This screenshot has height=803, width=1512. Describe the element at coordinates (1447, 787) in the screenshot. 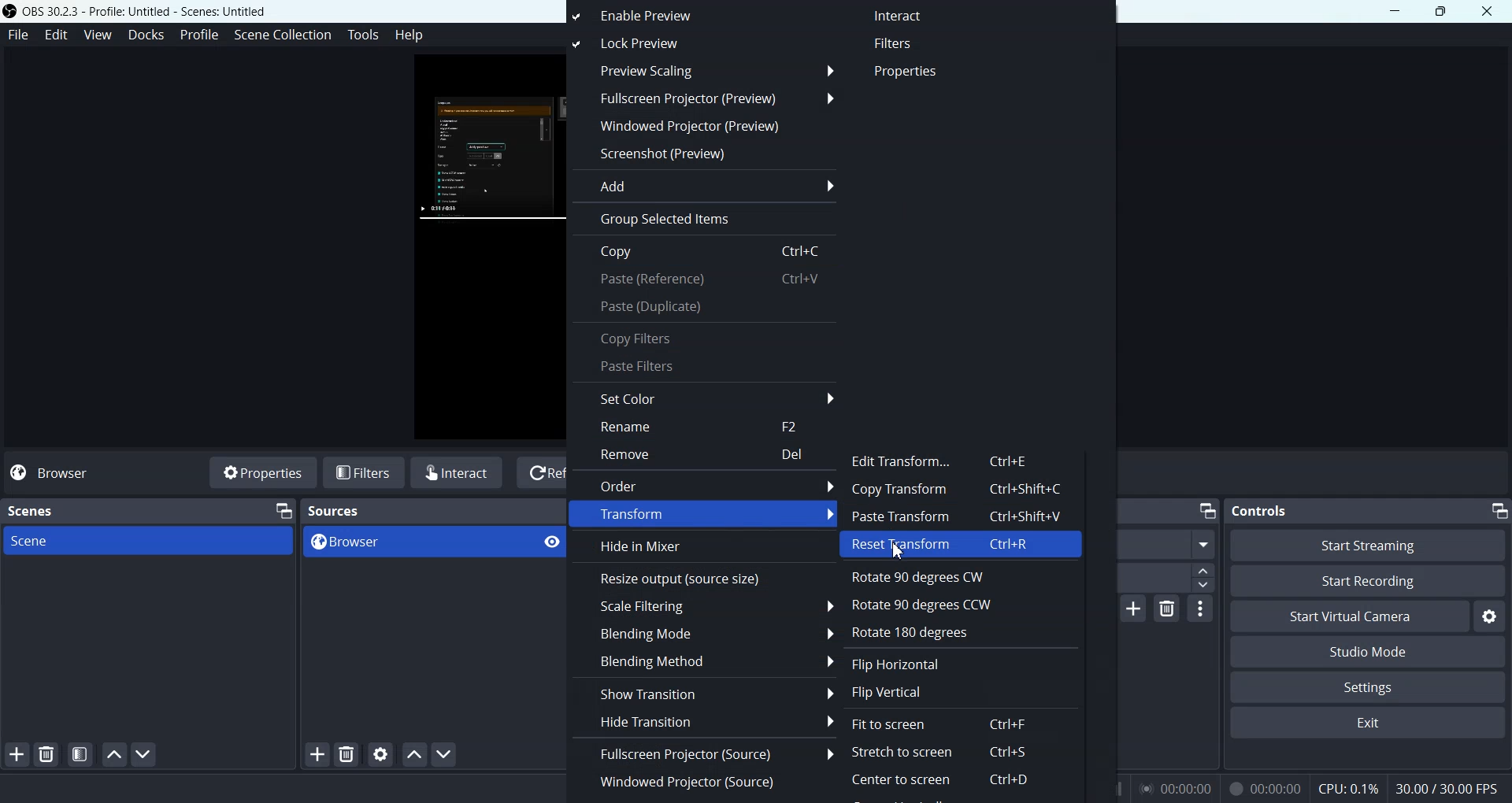

I see `30.00 / 30.00 FPS` at that location.